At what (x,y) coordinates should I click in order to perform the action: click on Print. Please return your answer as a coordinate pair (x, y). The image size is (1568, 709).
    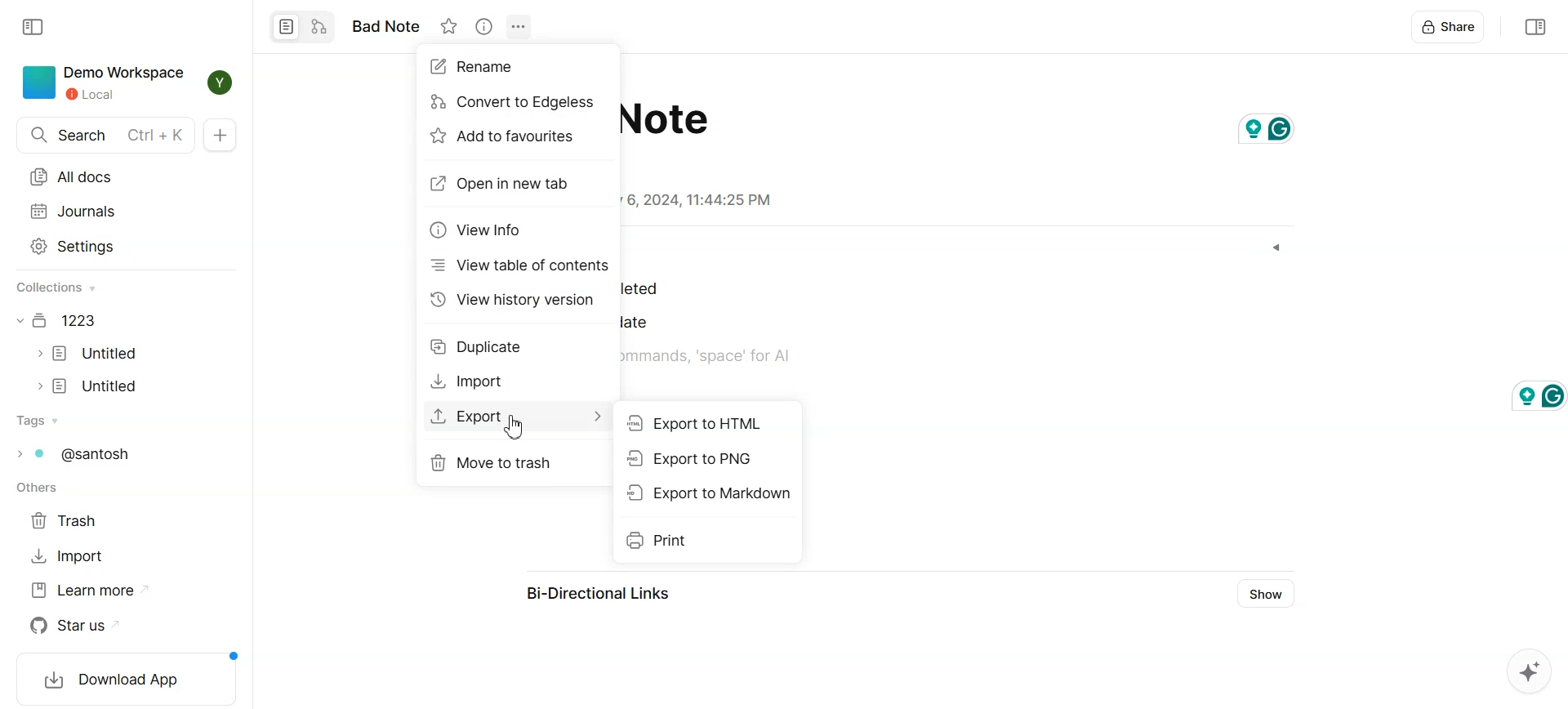
    Looking at the image, I should click on (707, 542).